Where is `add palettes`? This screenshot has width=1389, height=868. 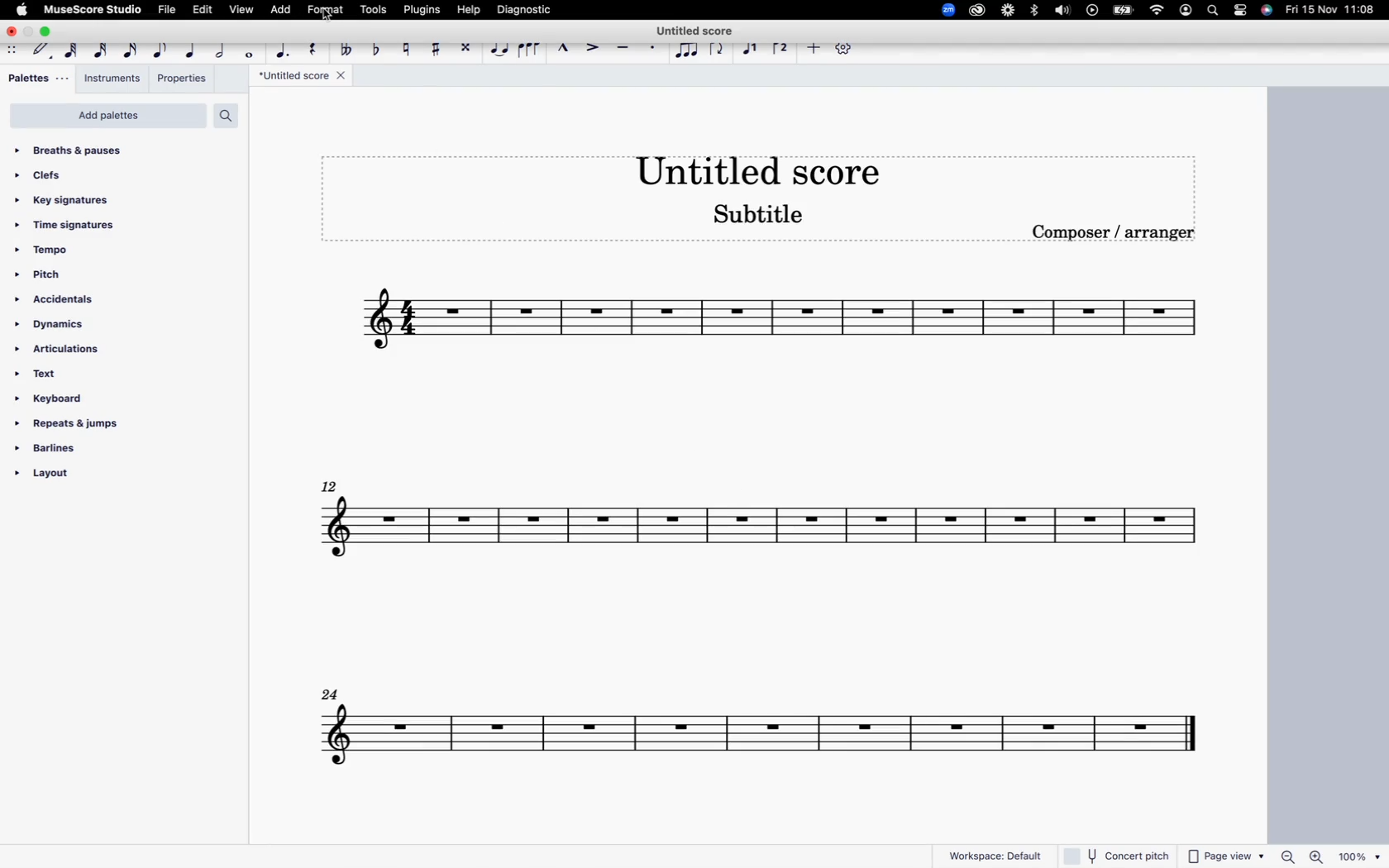
add palettes is located at coordinates (107, 116).